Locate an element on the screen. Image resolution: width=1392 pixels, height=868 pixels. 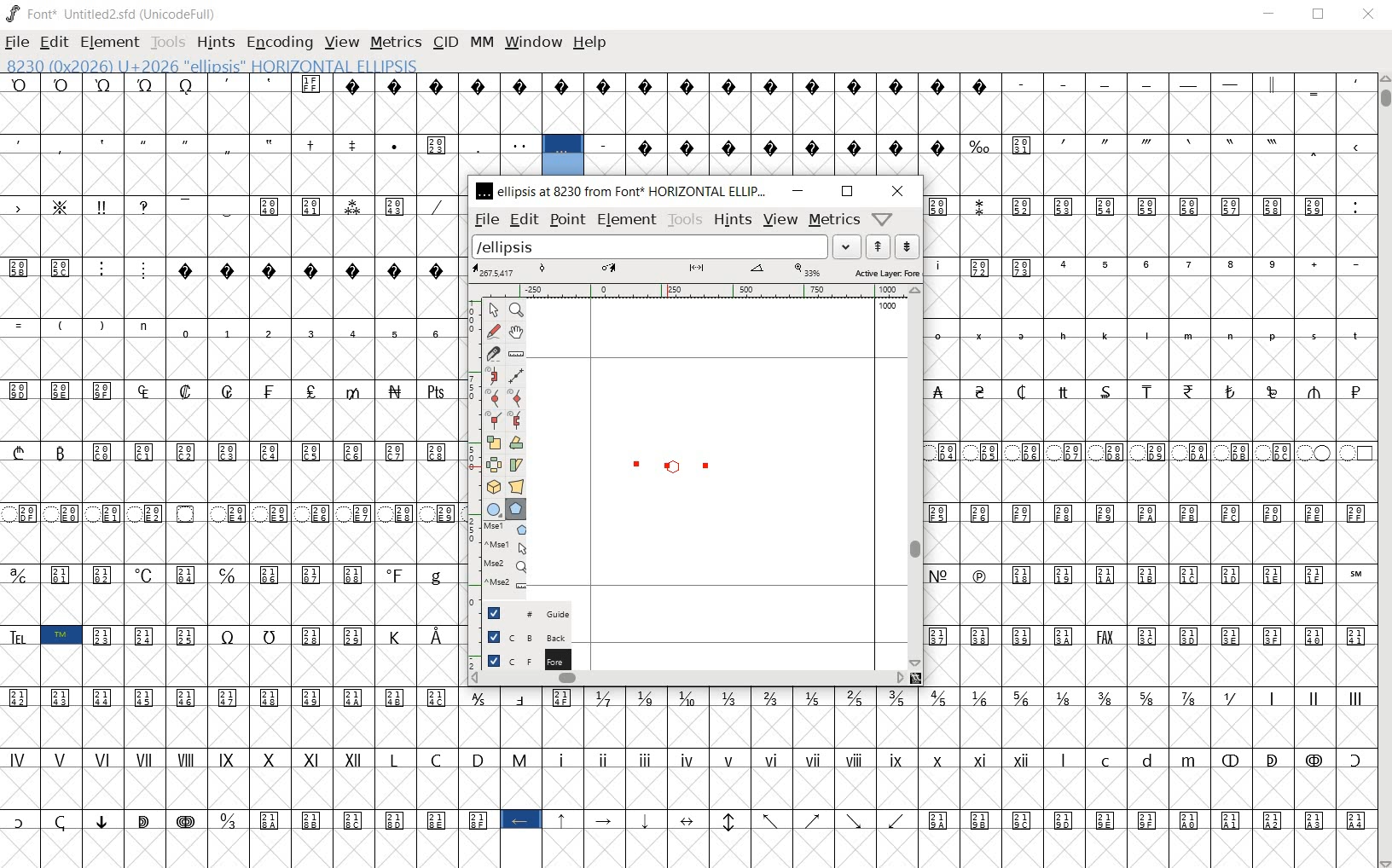
rotate the selection in 3D and project back to plane is located at coordinates (492, 486).